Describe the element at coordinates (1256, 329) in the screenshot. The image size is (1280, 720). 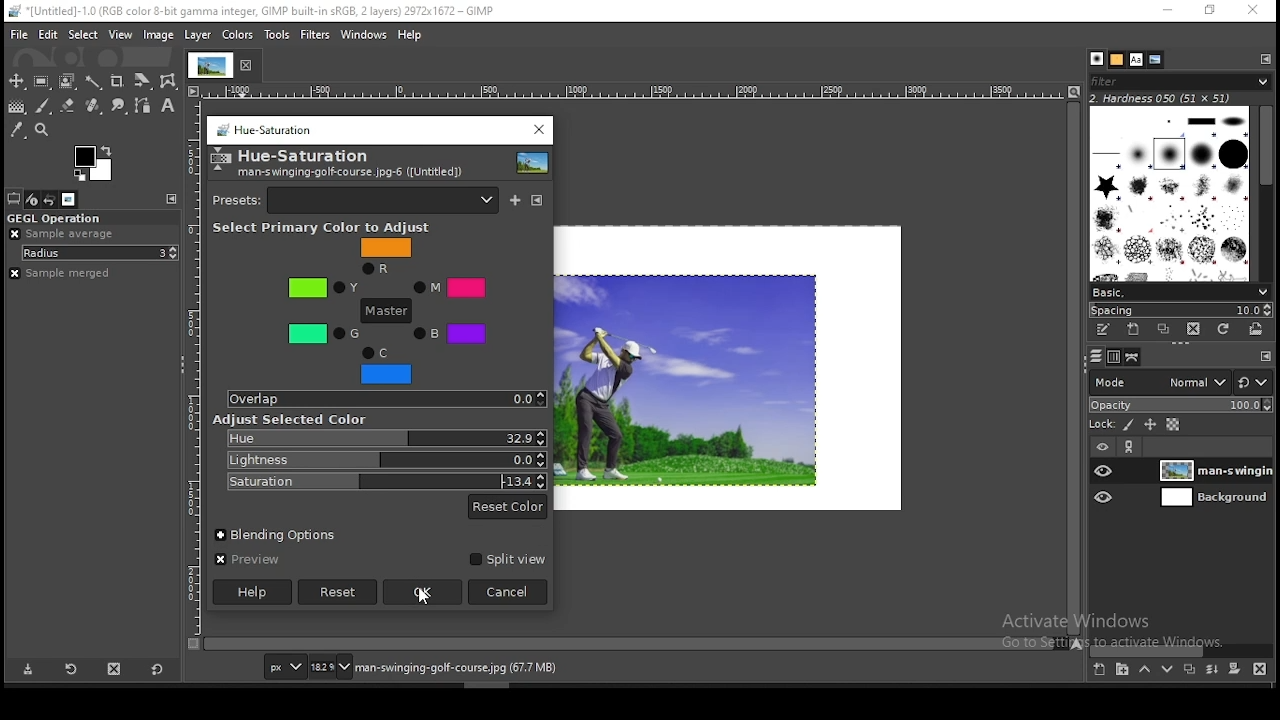
I see `open brush as image` at that location.